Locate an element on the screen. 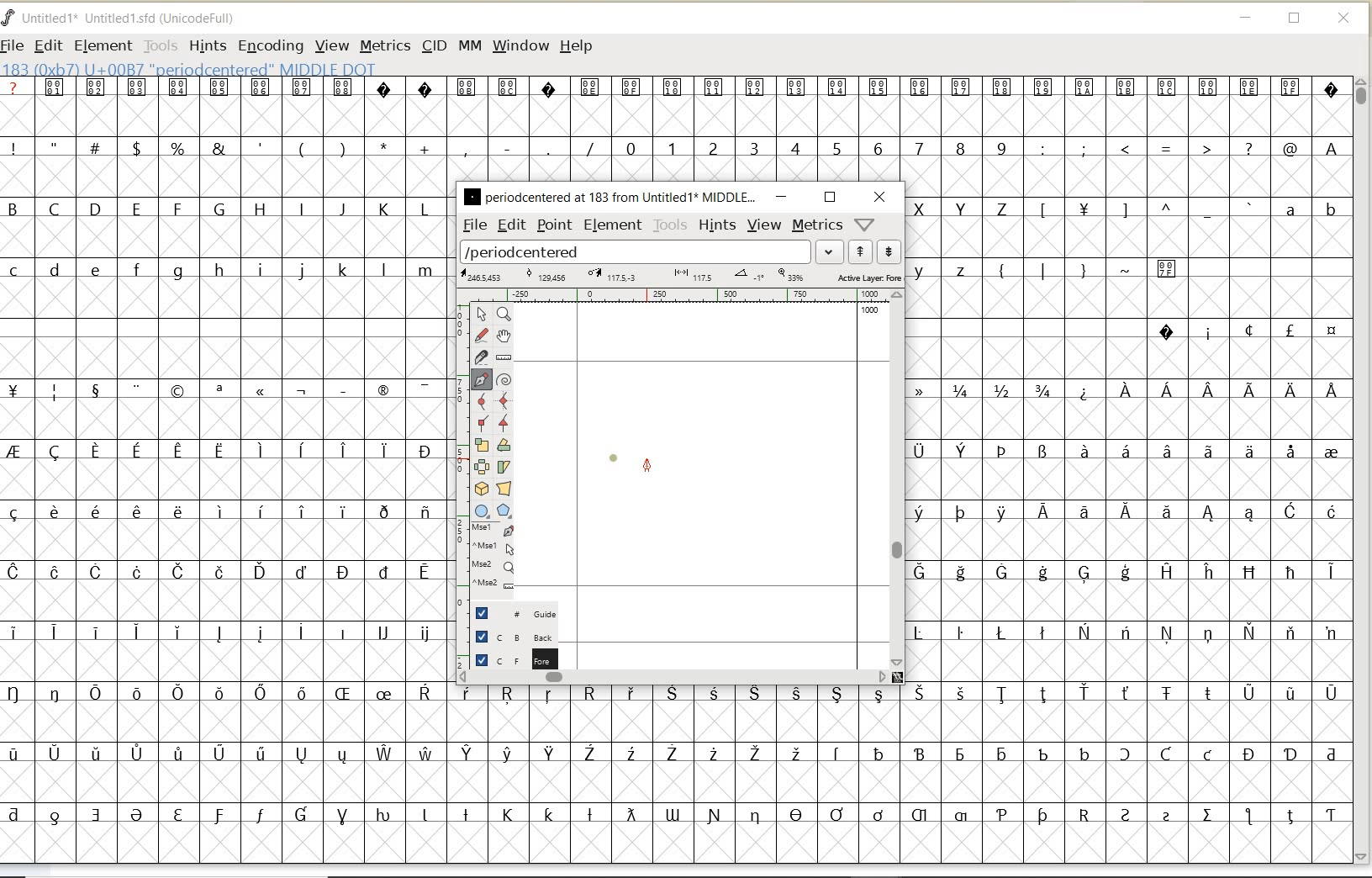 The image size is (1372, 878). uppercase letters is located at coordinates (221, 209).